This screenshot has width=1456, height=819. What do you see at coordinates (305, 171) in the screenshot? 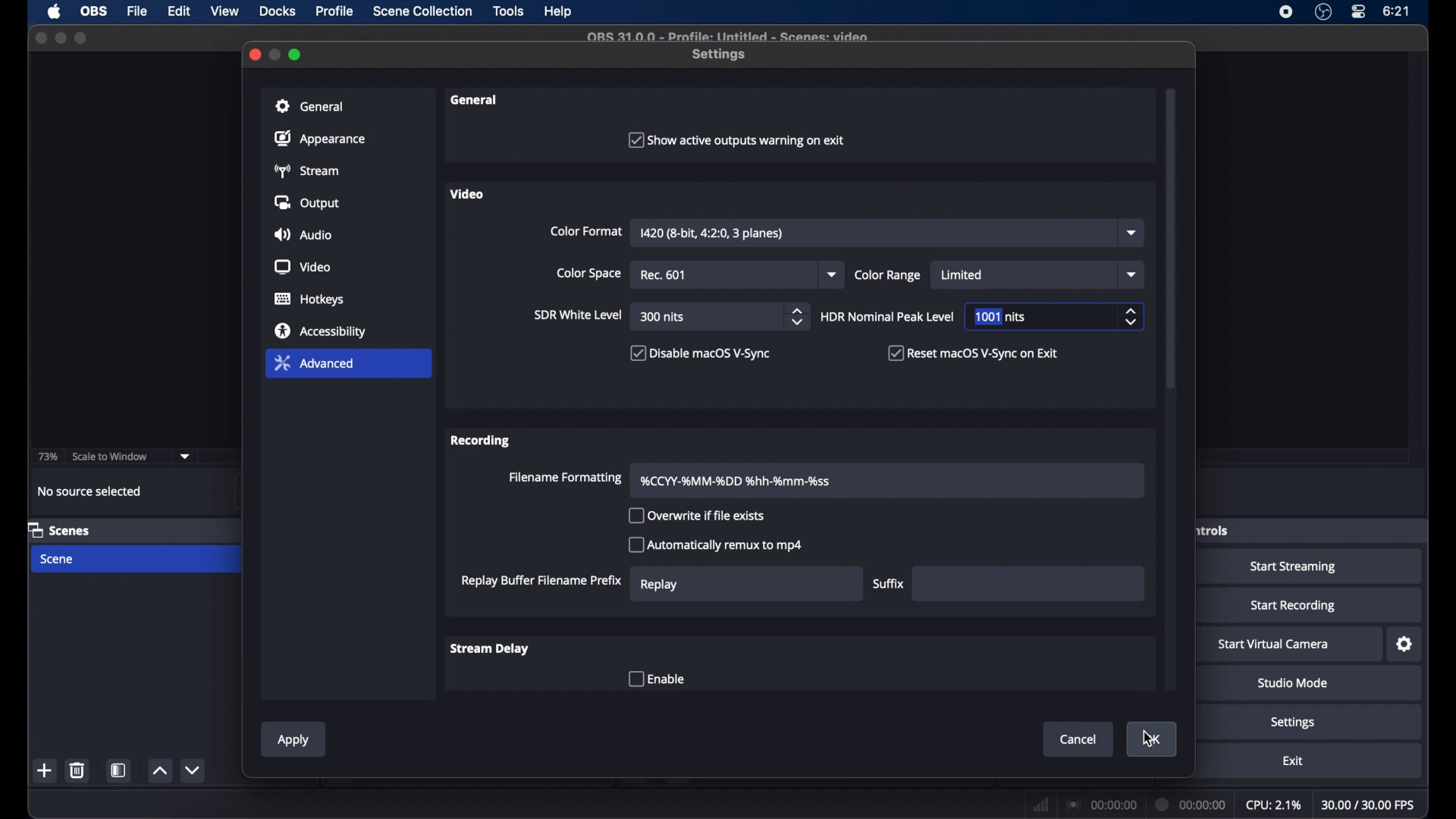
I see `stream` at bounding box center [305, 171].